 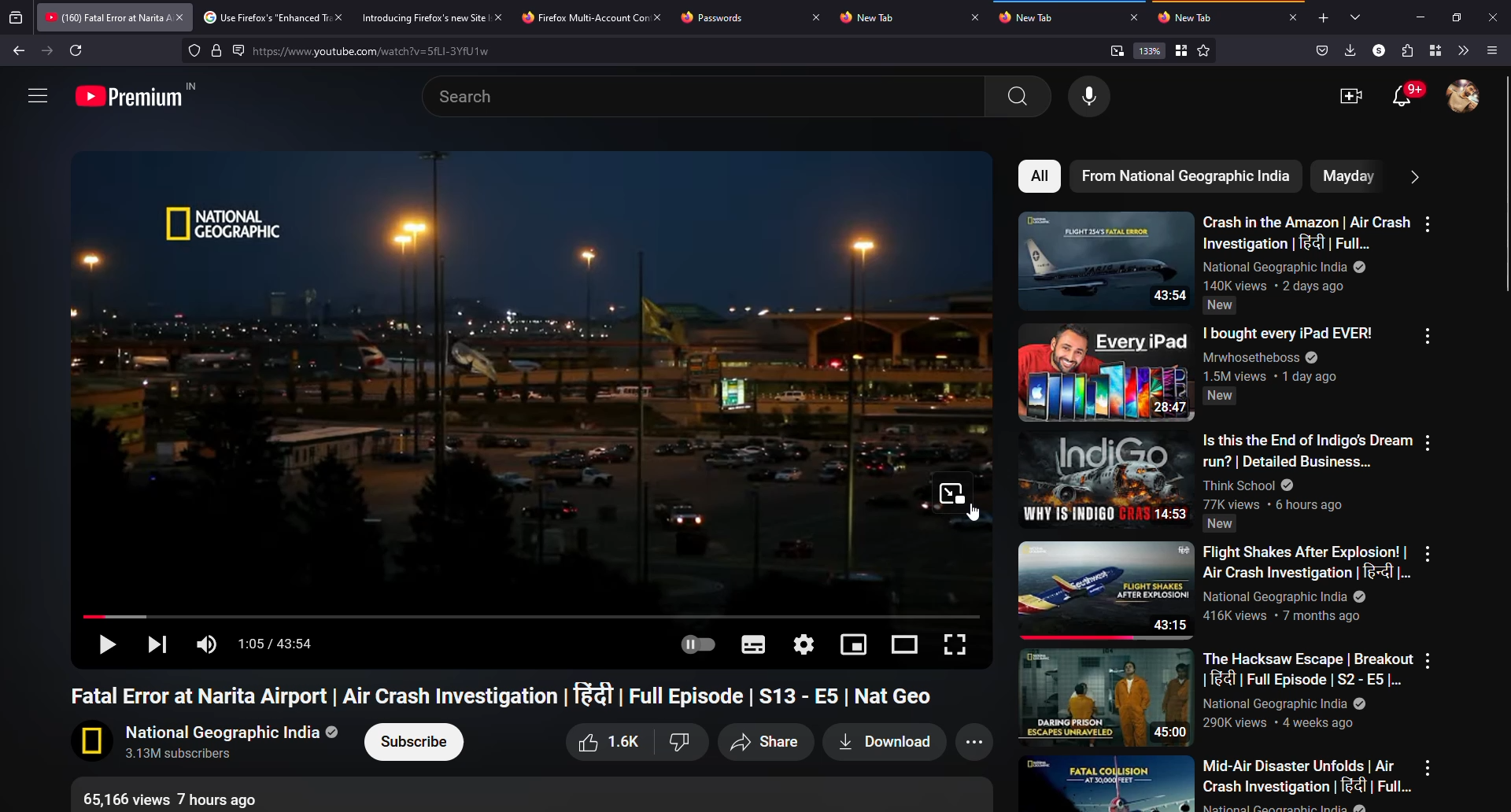 I want to click on lock, so click(x=217, y=50).